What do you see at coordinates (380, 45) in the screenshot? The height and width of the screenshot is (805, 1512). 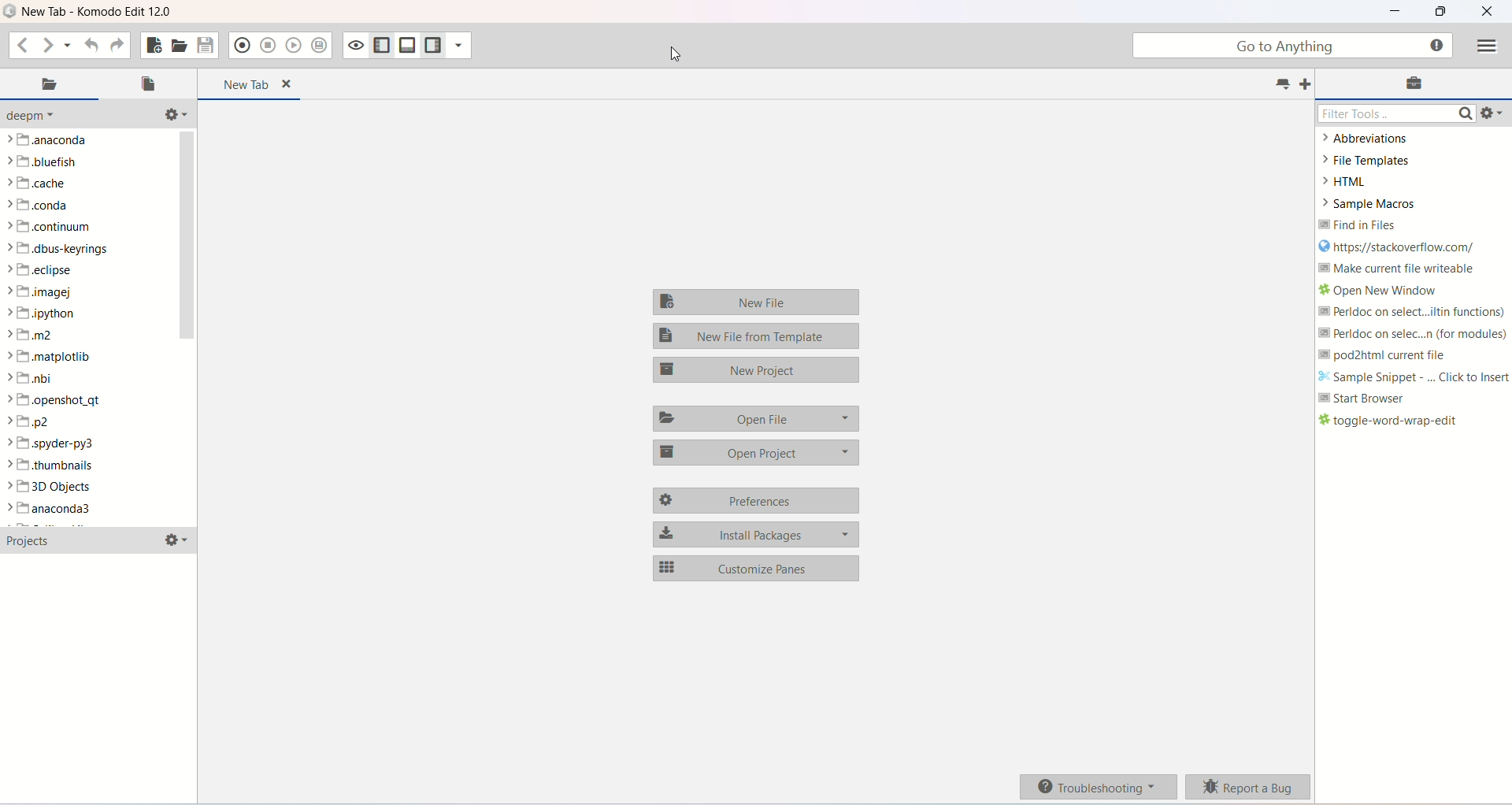 I see `show/hide left pane` at bounding box center [380, 45].